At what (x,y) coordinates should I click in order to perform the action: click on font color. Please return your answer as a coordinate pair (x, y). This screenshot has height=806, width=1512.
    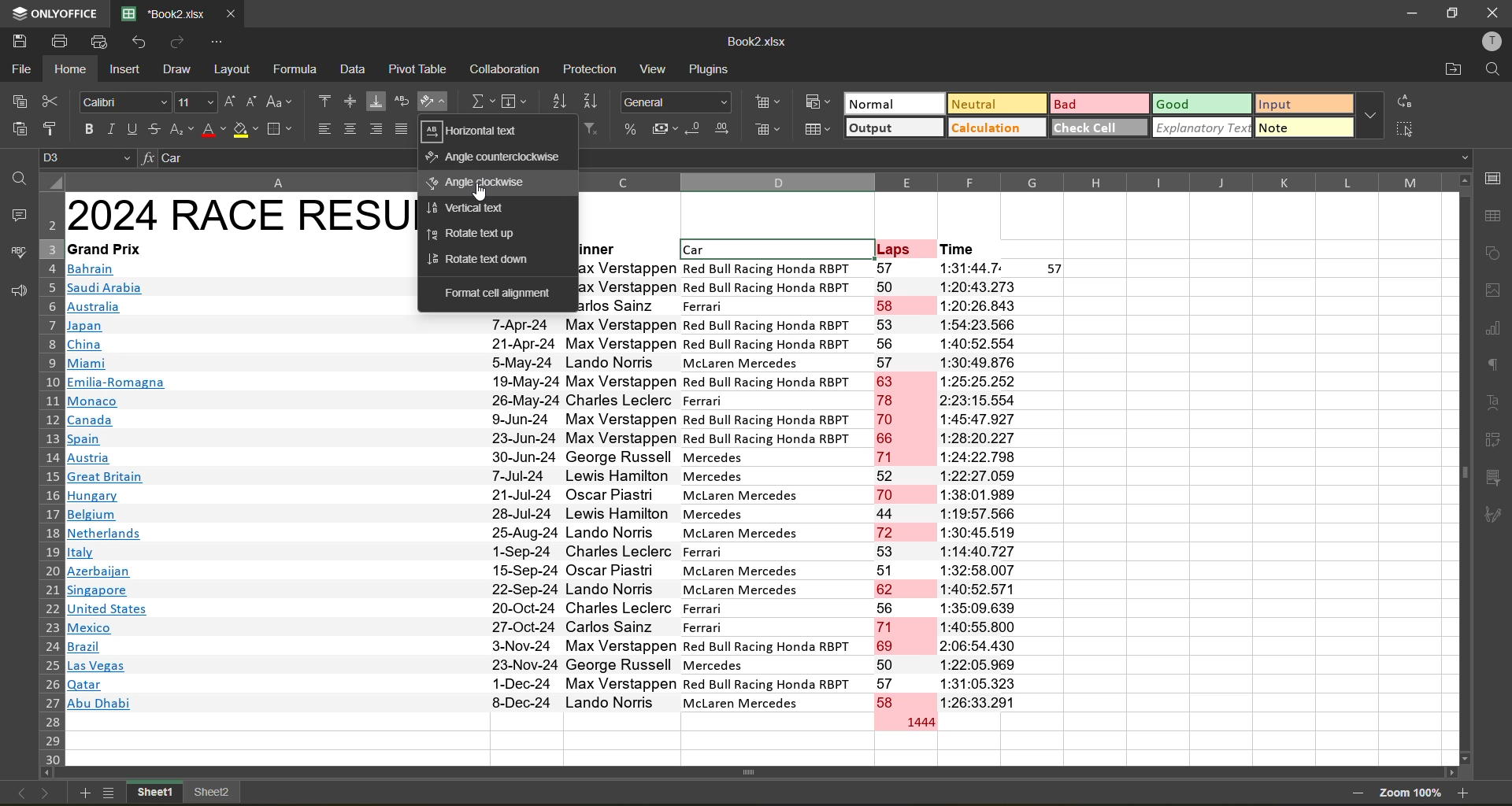
    Looking at the image, I should click on (212, 130).